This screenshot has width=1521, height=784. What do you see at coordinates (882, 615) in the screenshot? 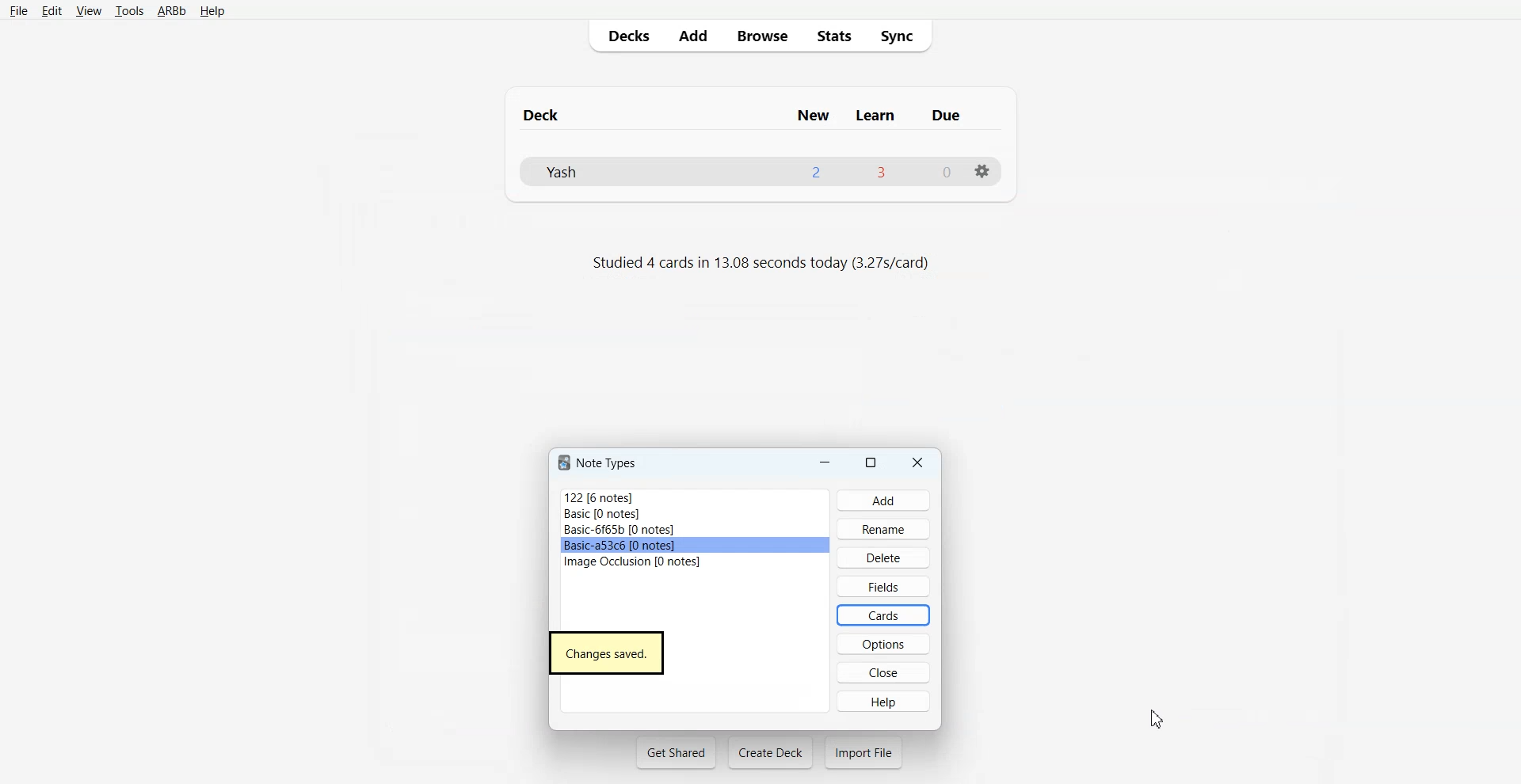
I see `Cards` at bounding box center [882, 615].